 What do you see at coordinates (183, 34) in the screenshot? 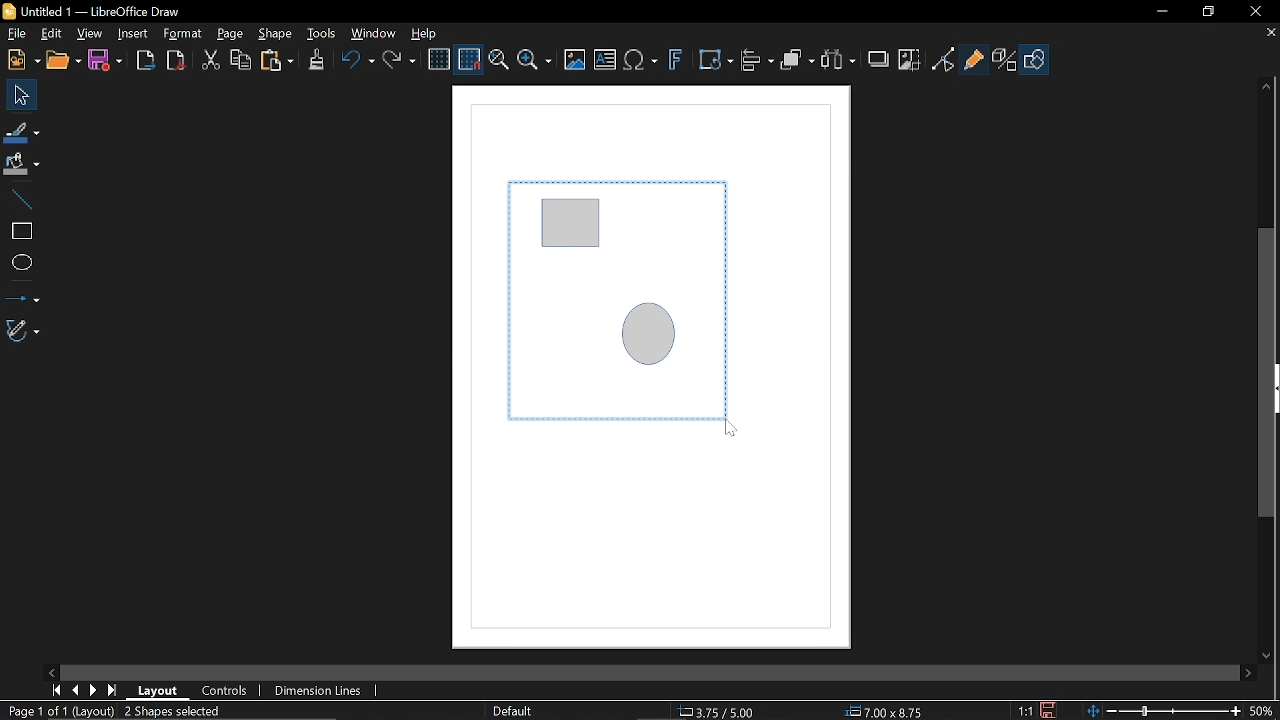
I see `Format` at bounding box center [183, 34].